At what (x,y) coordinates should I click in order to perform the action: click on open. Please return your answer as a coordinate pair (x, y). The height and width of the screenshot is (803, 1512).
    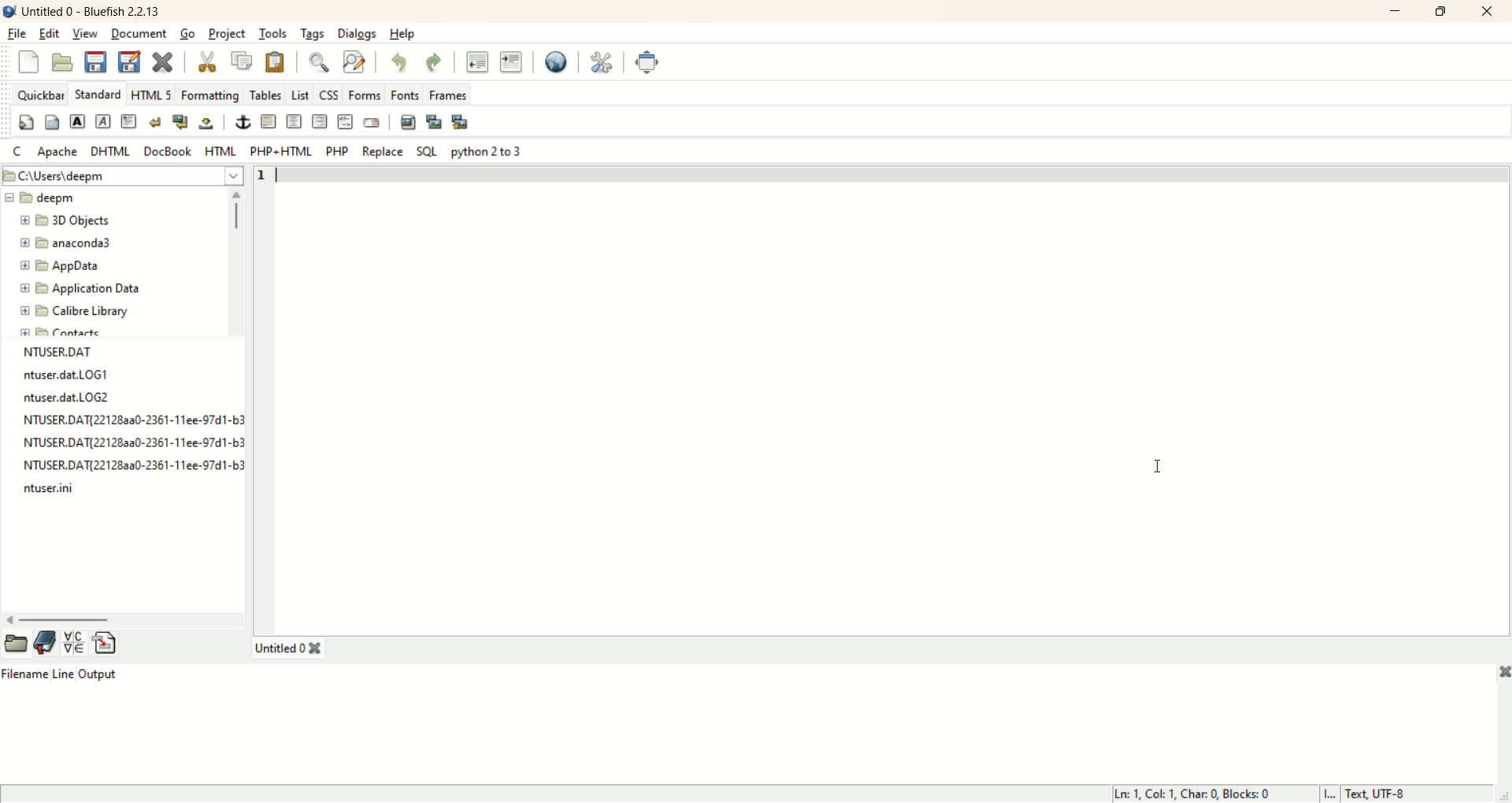
    Looking at the image, I should click on (16, 644).